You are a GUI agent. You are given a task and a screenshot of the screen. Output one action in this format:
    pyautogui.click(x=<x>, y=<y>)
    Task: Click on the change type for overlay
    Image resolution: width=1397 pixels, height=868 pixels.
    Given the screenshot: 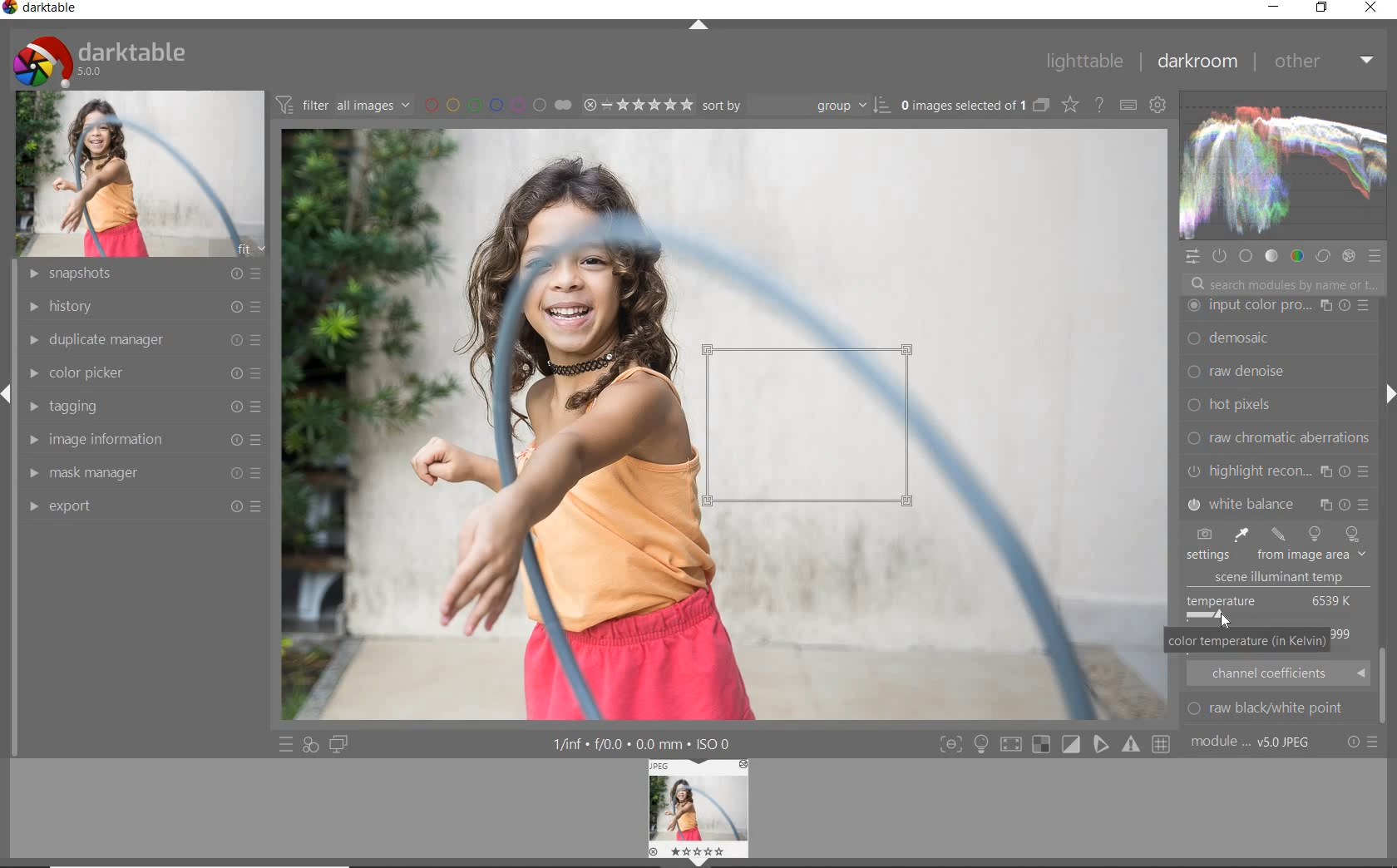 What is the action you would take?
    pyautogui.click(x=1071, y=105)
    